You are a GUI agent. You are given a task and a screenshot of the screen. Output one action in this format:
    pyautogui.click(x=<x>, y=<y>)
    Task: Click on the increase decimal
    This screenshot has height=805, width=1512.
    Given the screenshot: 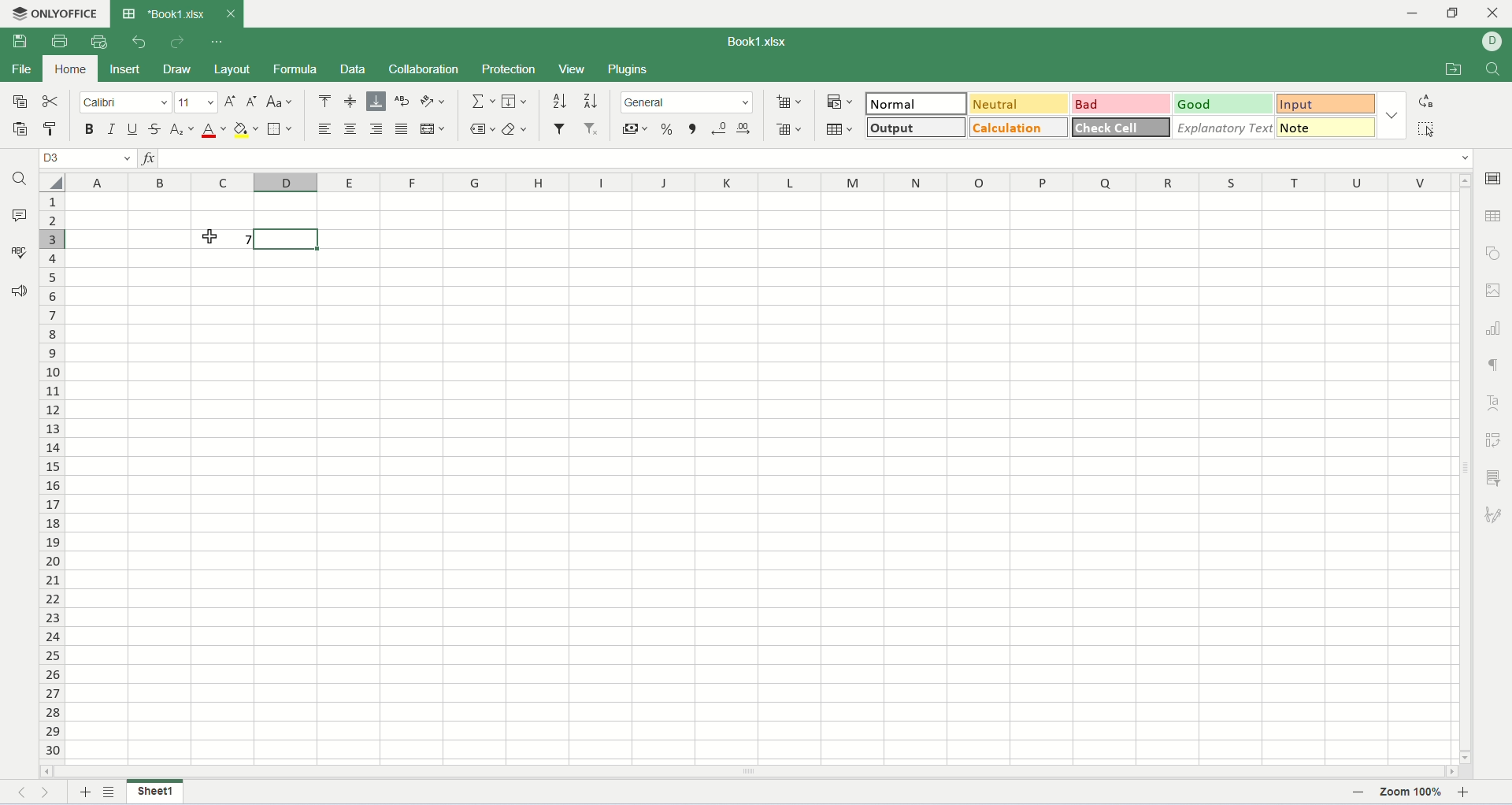 What is the action you would take?
    pyautogui.click(x=742, y=127)
    